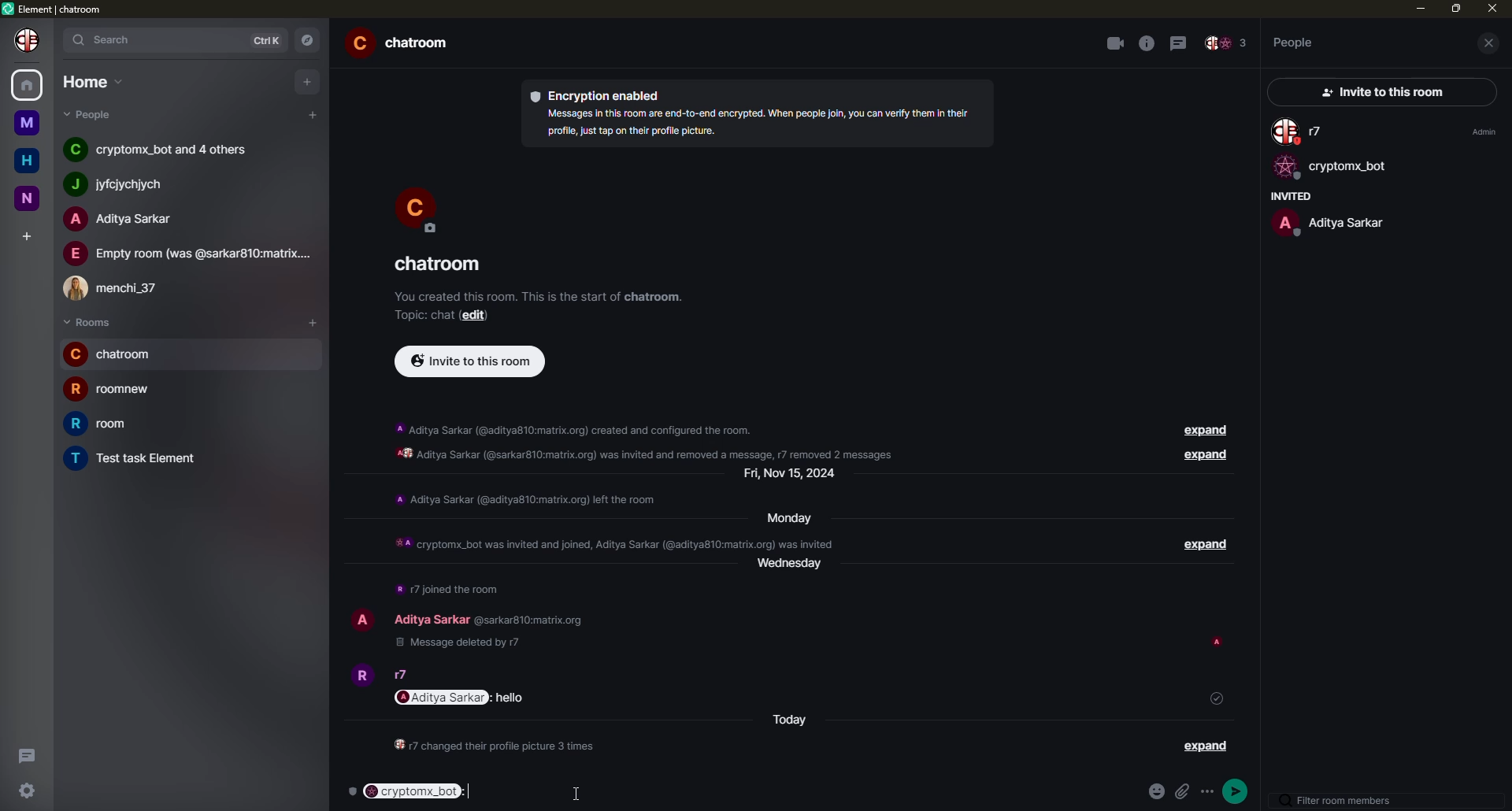 This screenshot has height=811, width=1512. What do you see at coordinates (317, 321) in the screenshot?
I see `add` at bounding box center [317, 321].